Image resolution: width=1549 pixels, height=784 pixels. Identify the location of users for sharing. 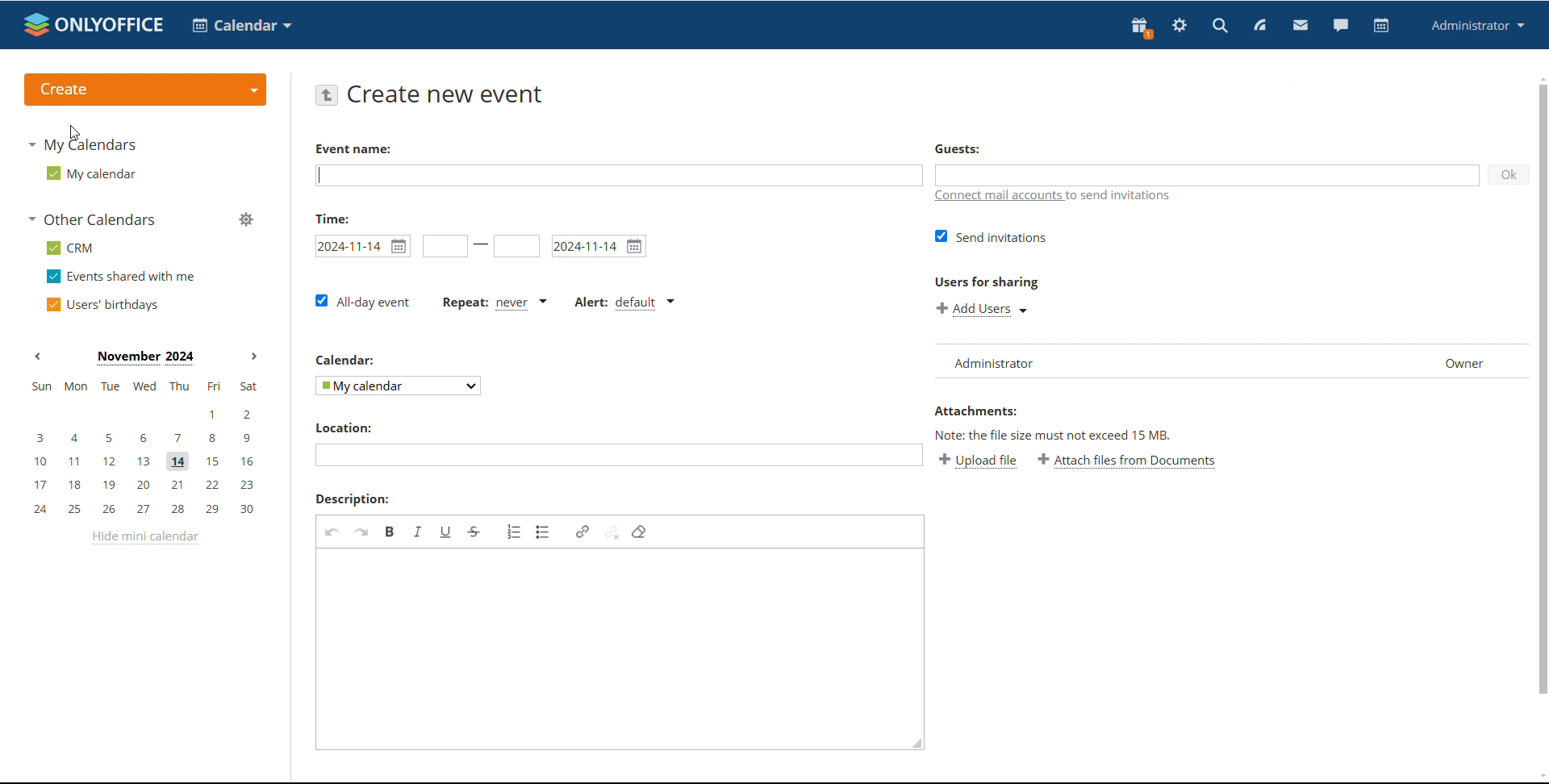
(987, 281).